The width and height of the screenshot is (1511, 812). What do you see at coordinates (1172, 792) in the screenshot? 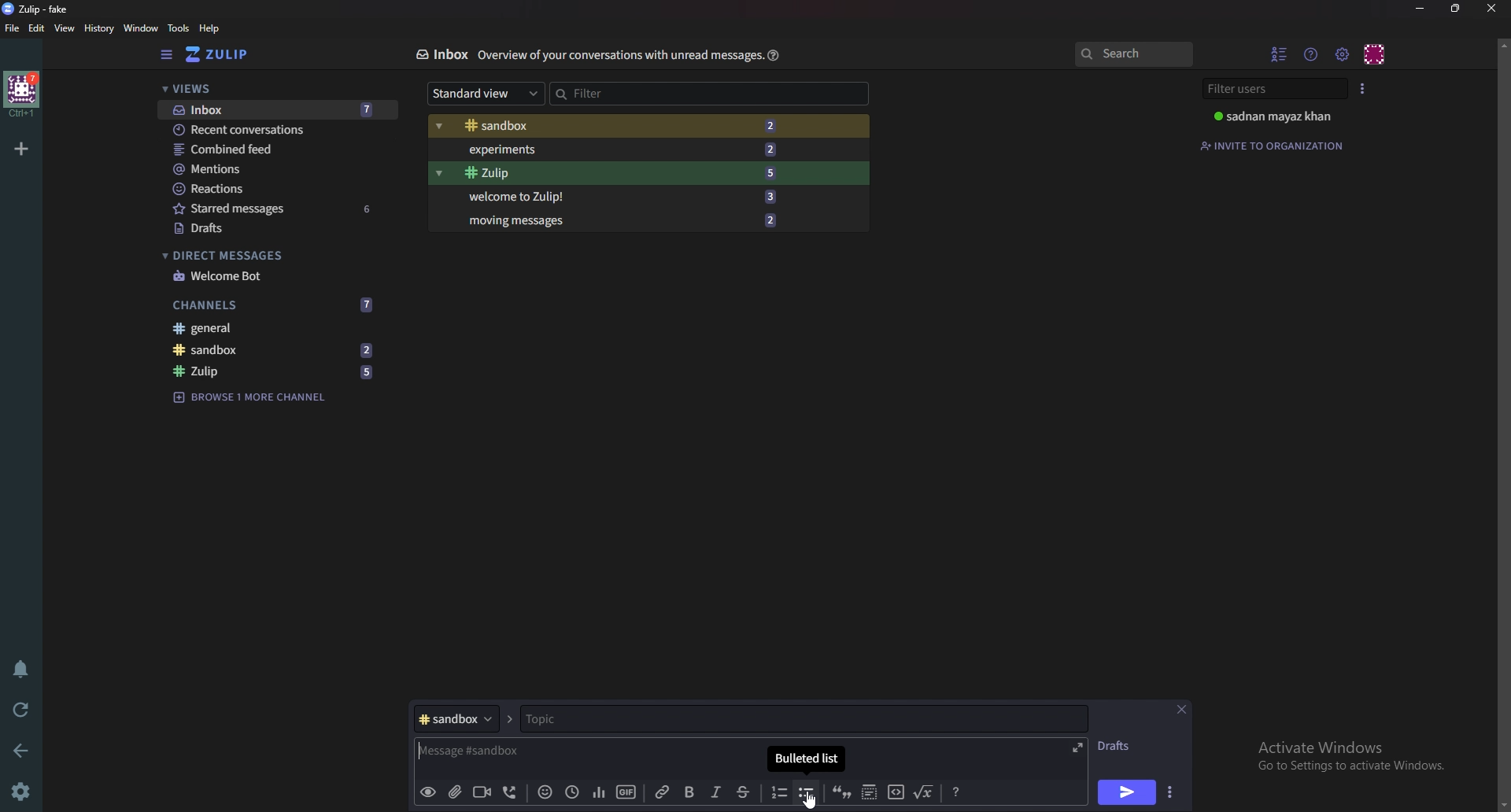
I see `Send options` at bounding box center [1172, 792].